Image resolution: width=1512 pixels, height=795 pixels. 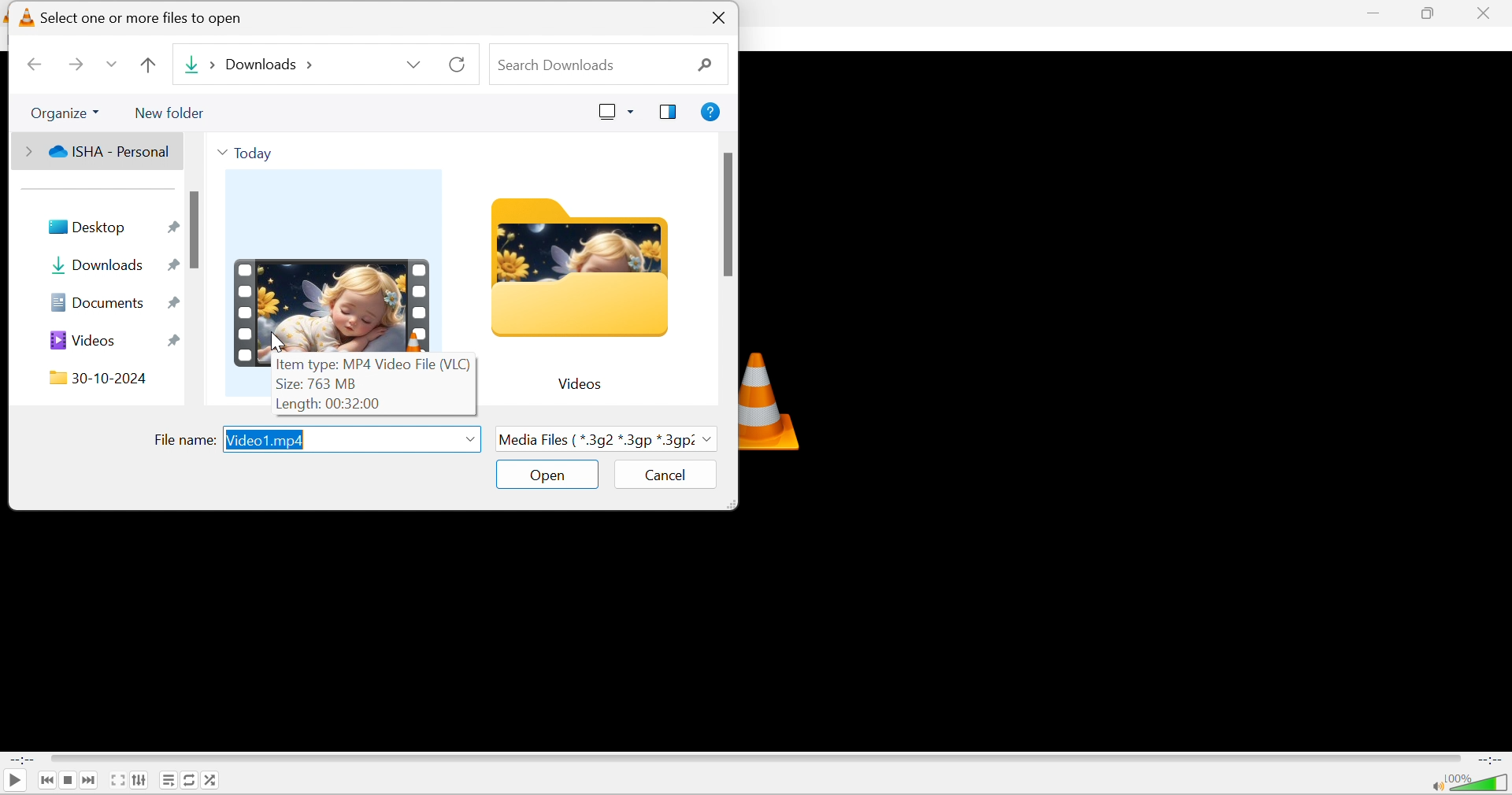 What do you see at coordinates (110, 64) in the screenshot?
I see `Drop down` at bounding box center [110, 64].